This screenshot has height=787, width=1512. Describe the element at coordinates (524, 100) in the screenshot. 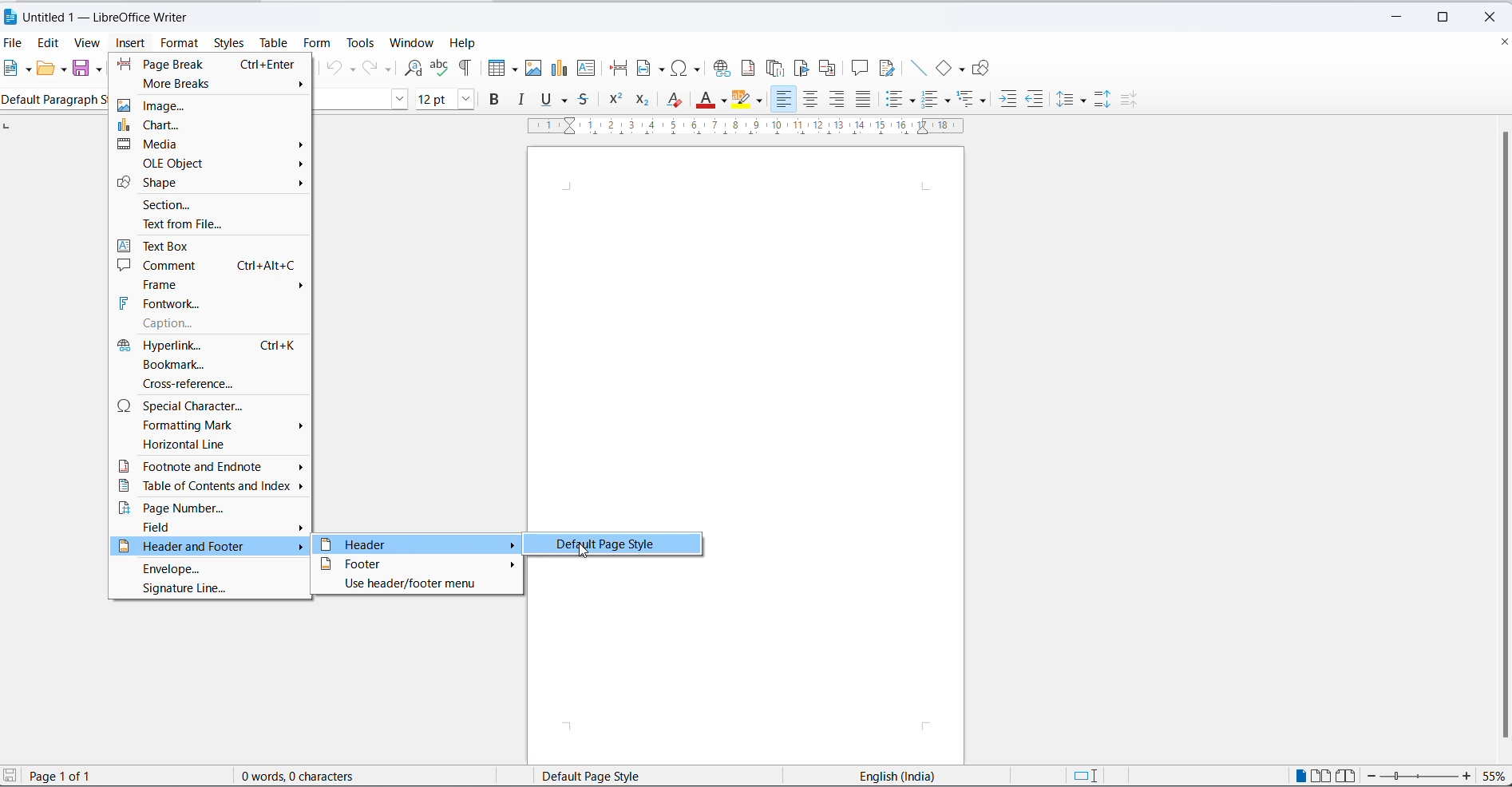

I see `italic` at that location.